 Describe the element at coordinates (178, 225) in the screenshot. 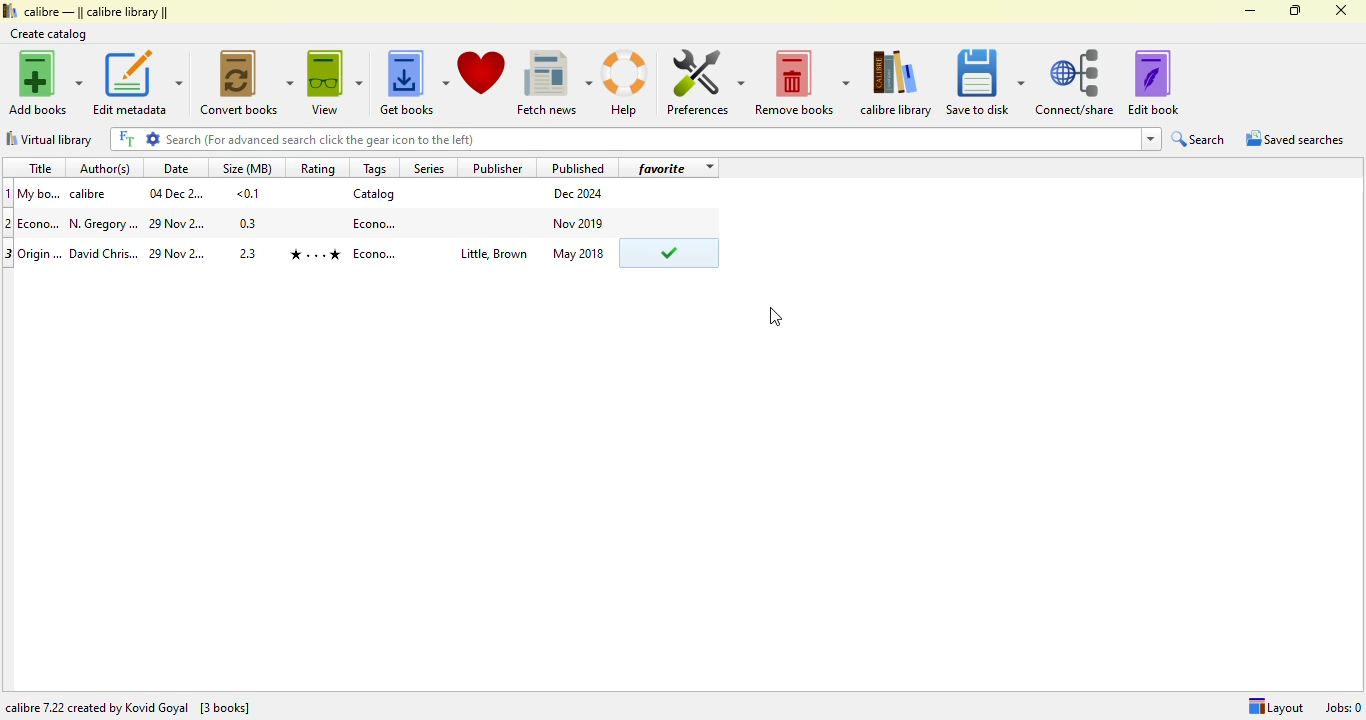

I see `date` at that location.